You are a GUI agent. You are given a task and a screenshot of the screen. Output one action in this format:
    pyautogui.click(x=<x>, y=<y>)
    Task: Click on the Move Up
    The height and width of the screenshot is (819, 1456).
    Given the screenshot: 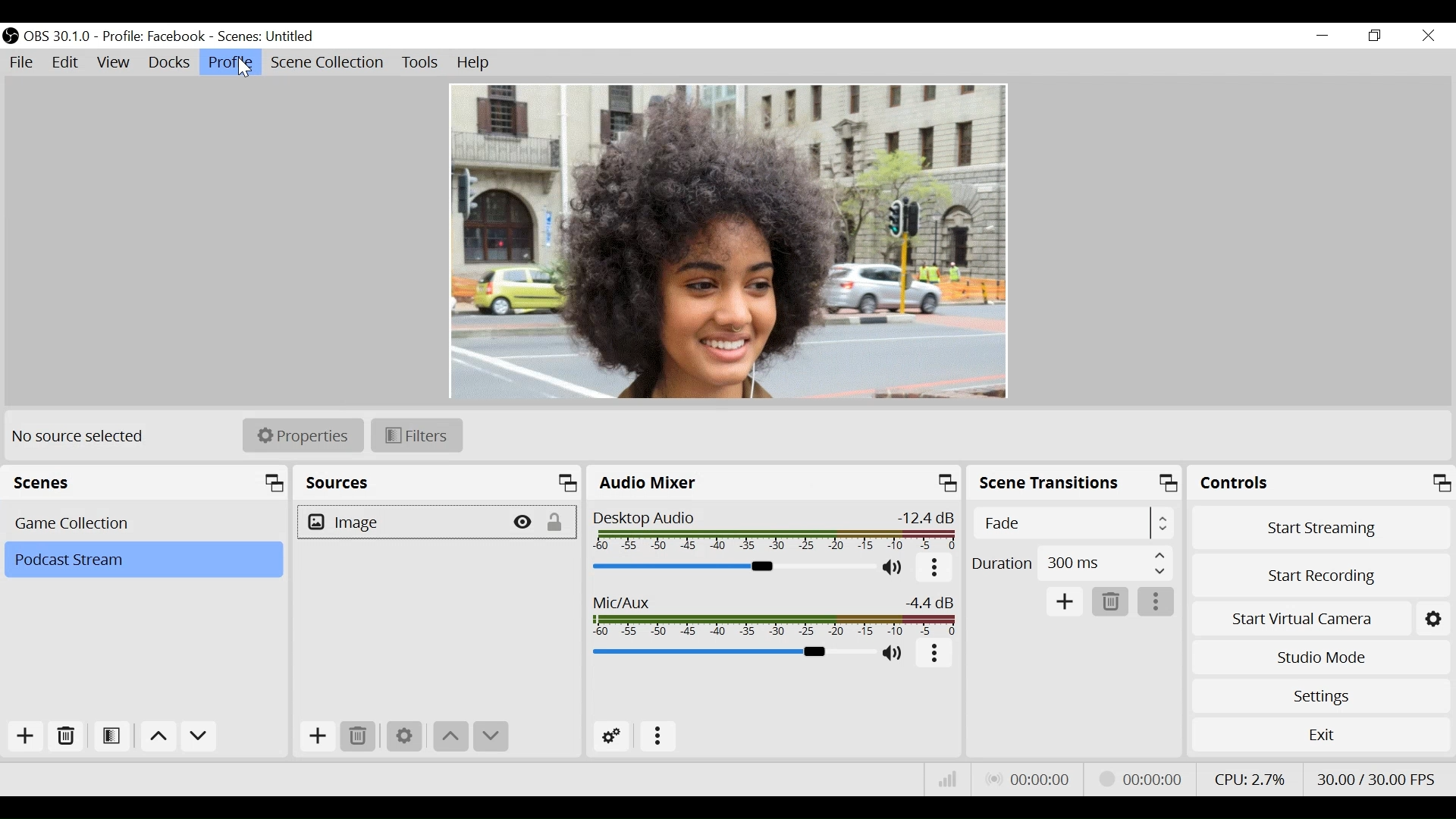 What is the action you would take?
    pyautogui.click(x=450, y=739)
    